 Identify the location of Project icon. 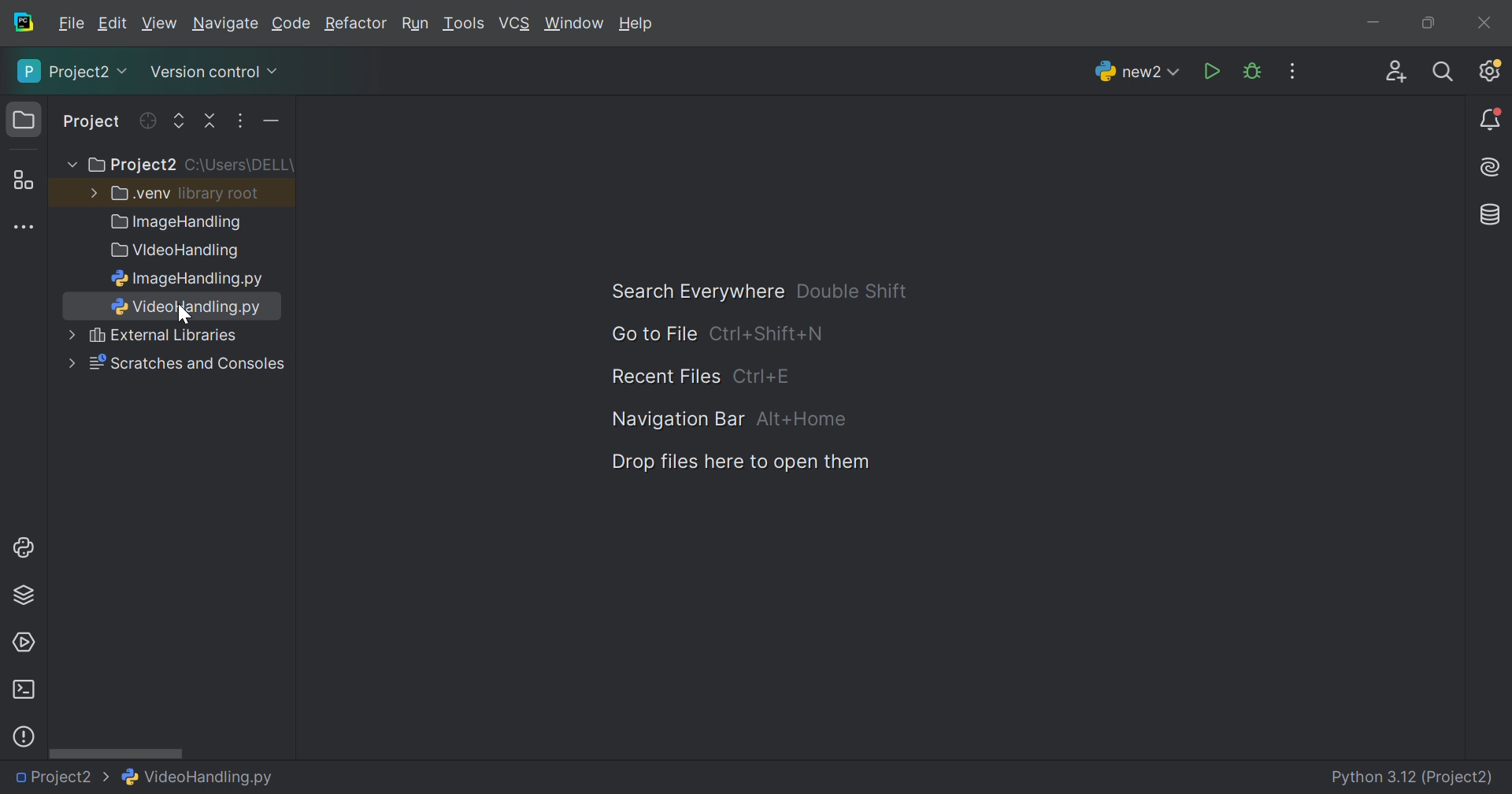
(26, 121).